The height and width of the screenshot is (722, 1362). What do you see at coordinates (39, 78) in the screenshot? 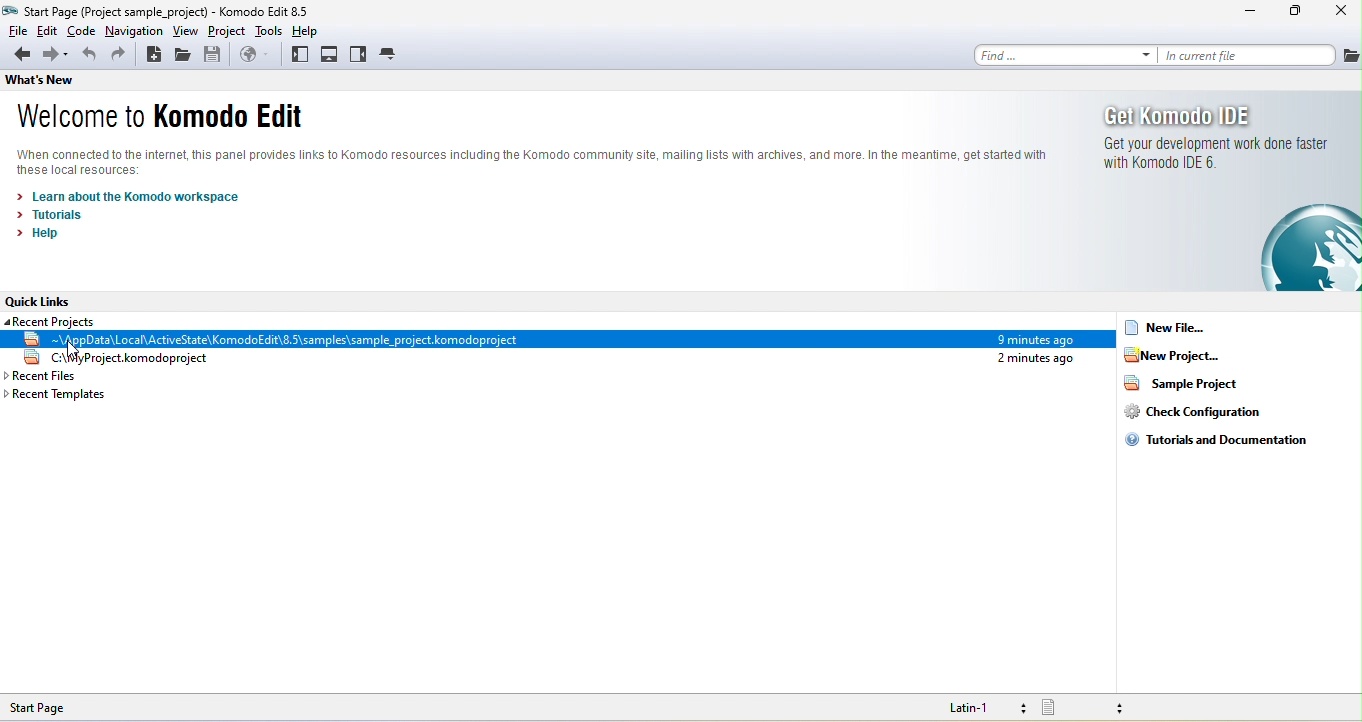
I see `thats new` at bounding box center [39, 78].